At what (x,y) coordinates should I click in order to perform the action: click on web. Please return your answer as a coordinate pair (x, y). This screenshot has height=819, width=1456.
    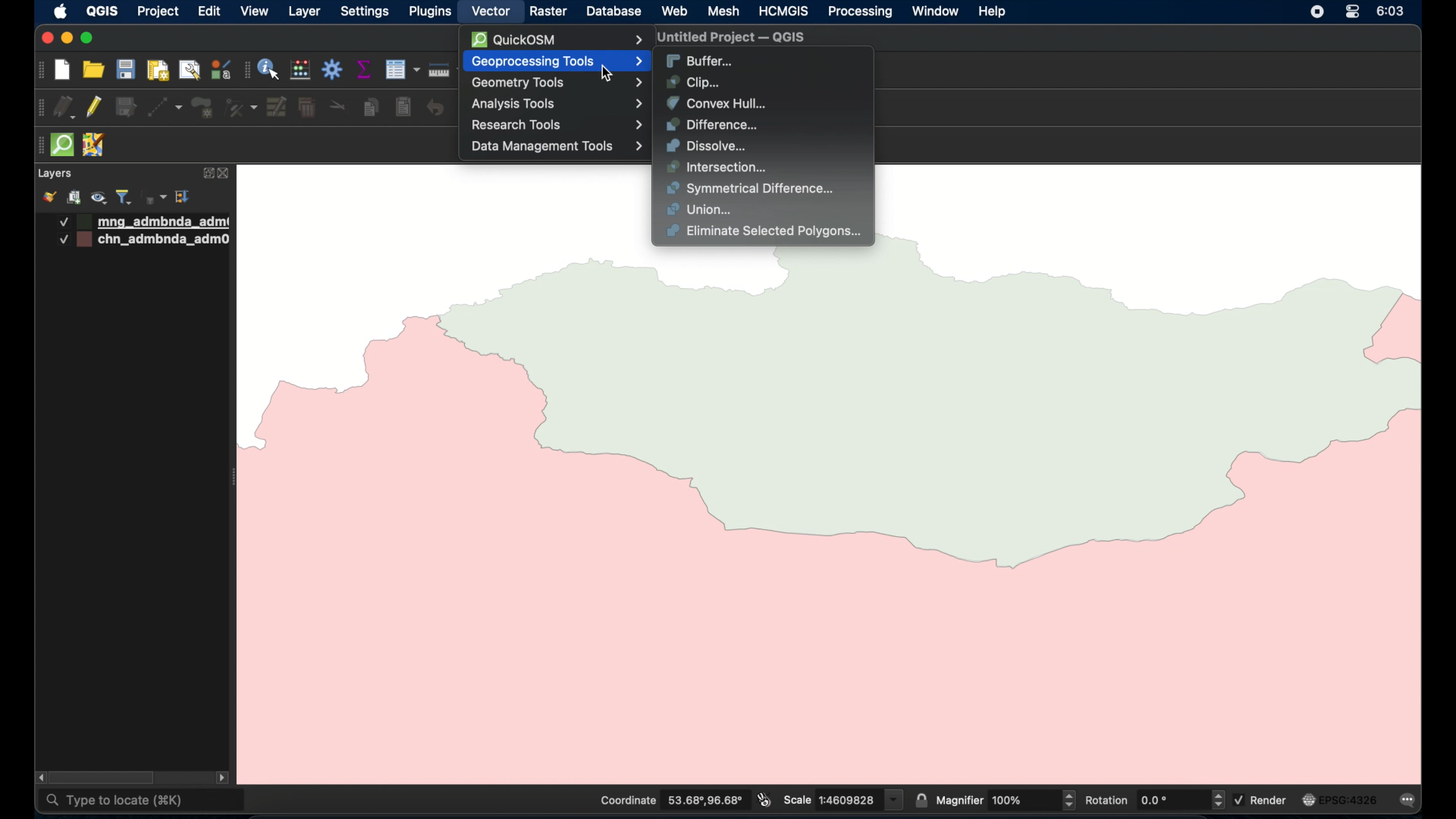
    Looking at the image, I should click on (676, 11).